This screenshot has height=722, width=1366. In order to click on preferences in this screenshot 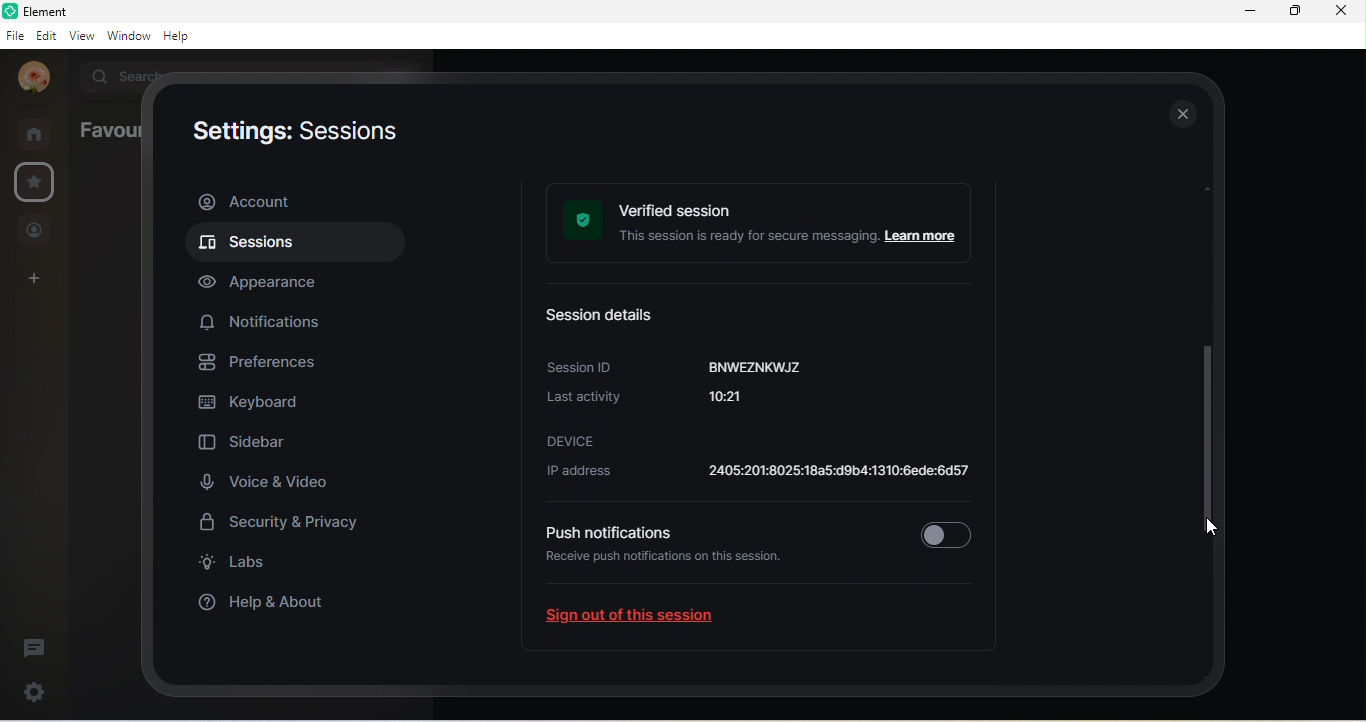, I will do `click(267, 364)`.